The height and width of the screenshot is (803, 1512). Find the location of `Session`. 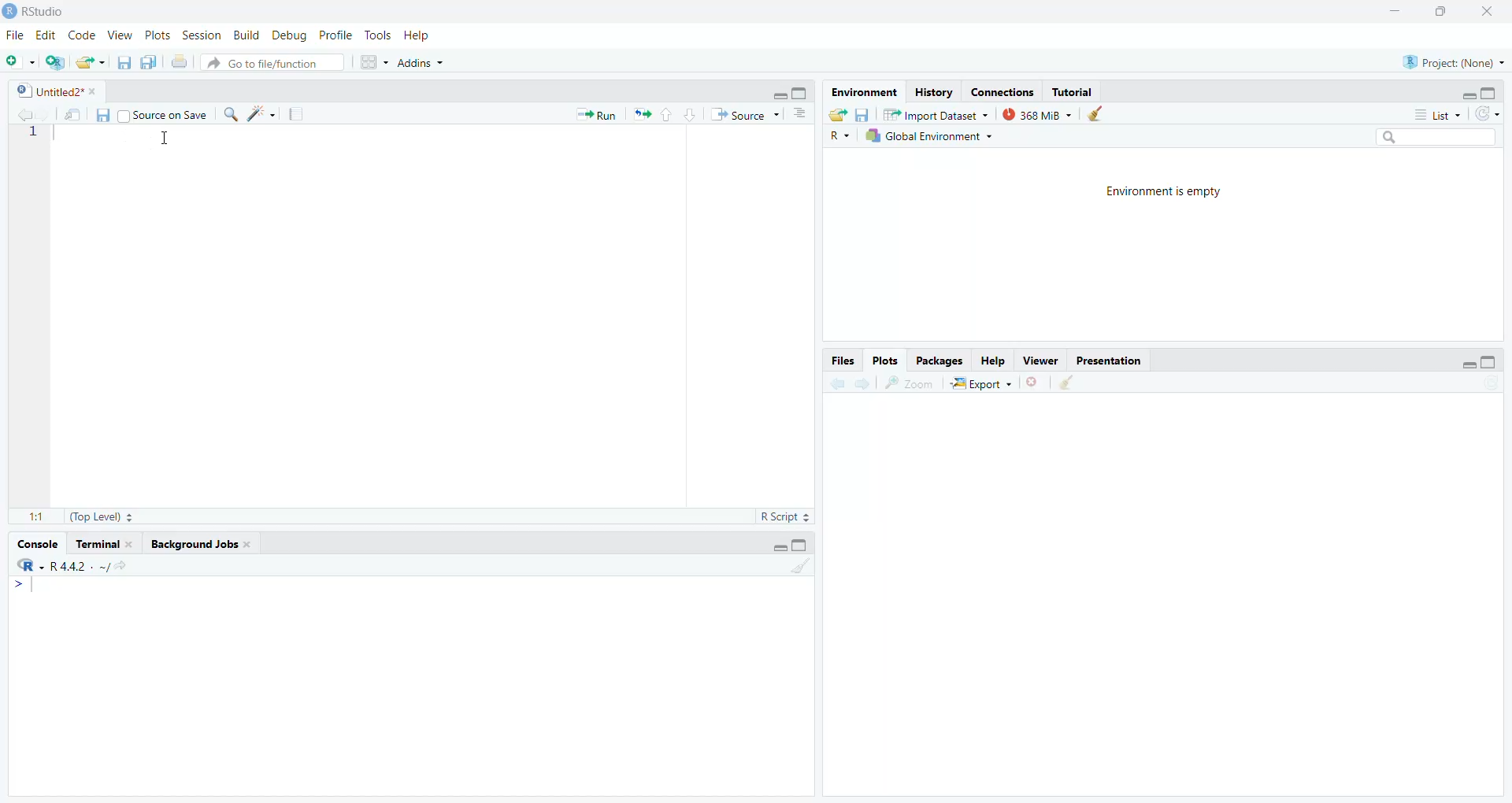

Session is located at coordinates (201, 35).